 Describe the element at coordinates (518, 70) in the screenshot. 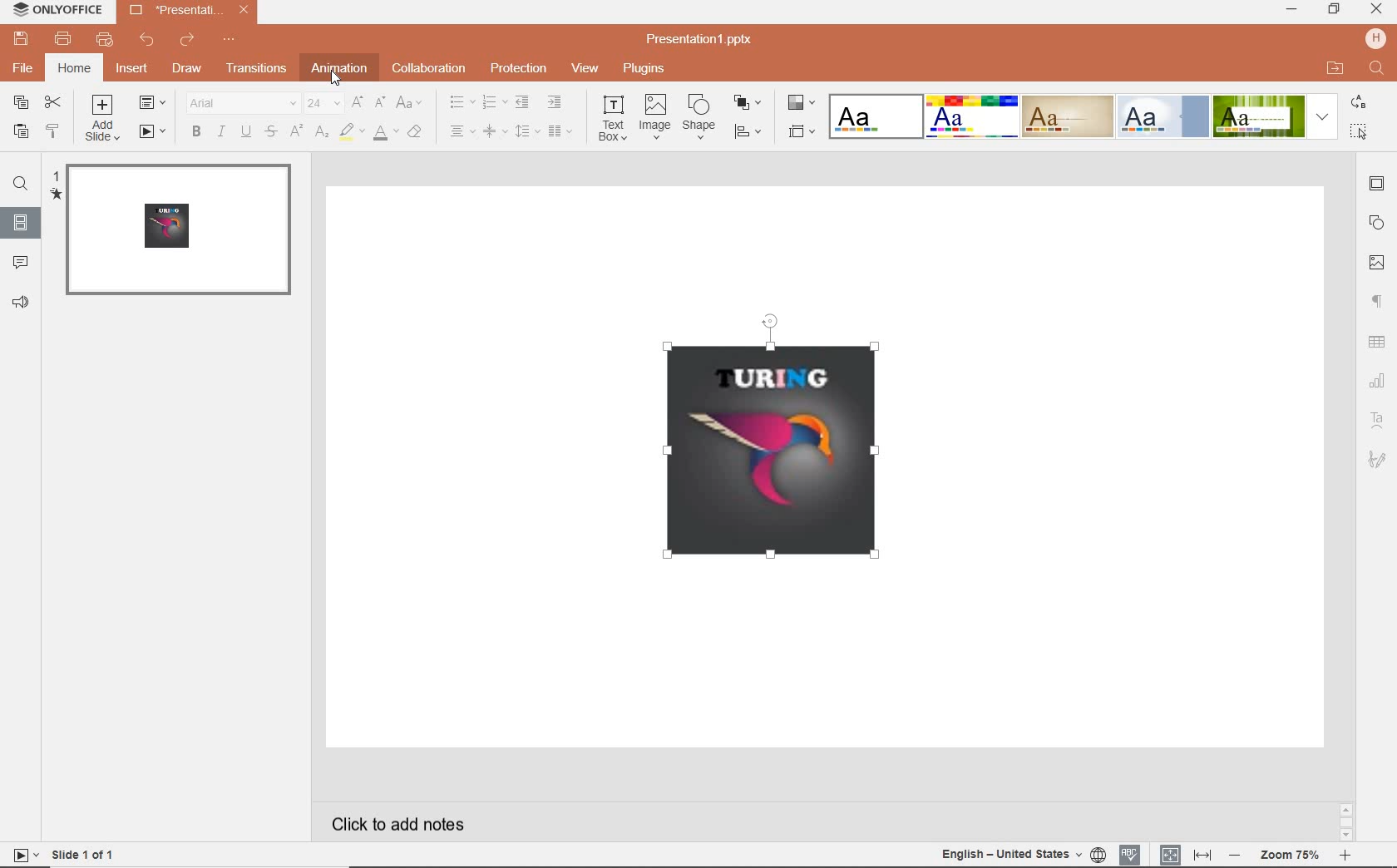

I see `protection` at that location.